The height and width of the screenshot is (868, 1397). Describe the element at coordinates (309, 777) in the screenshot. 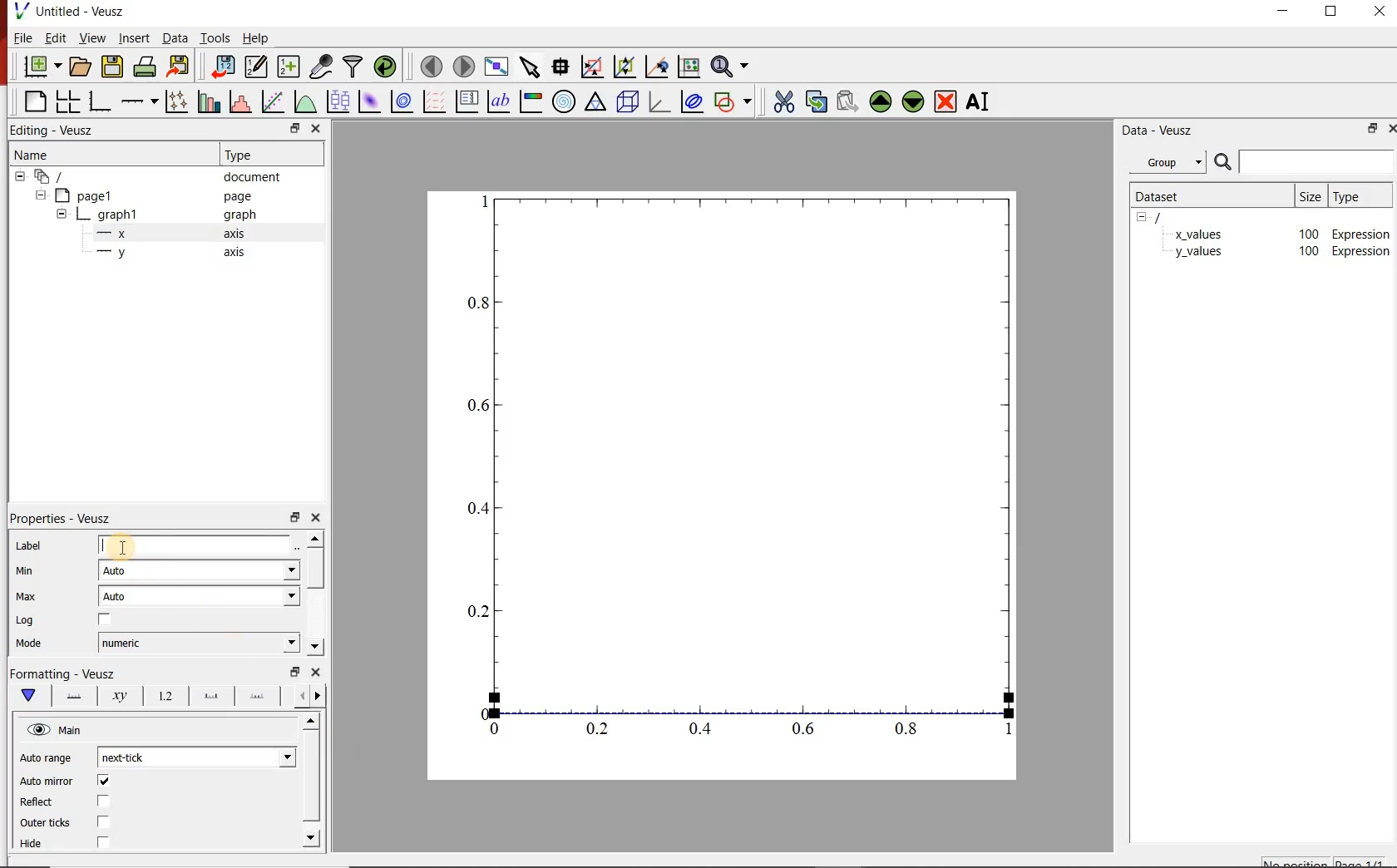

I see `vertical scrollbar` at that location.